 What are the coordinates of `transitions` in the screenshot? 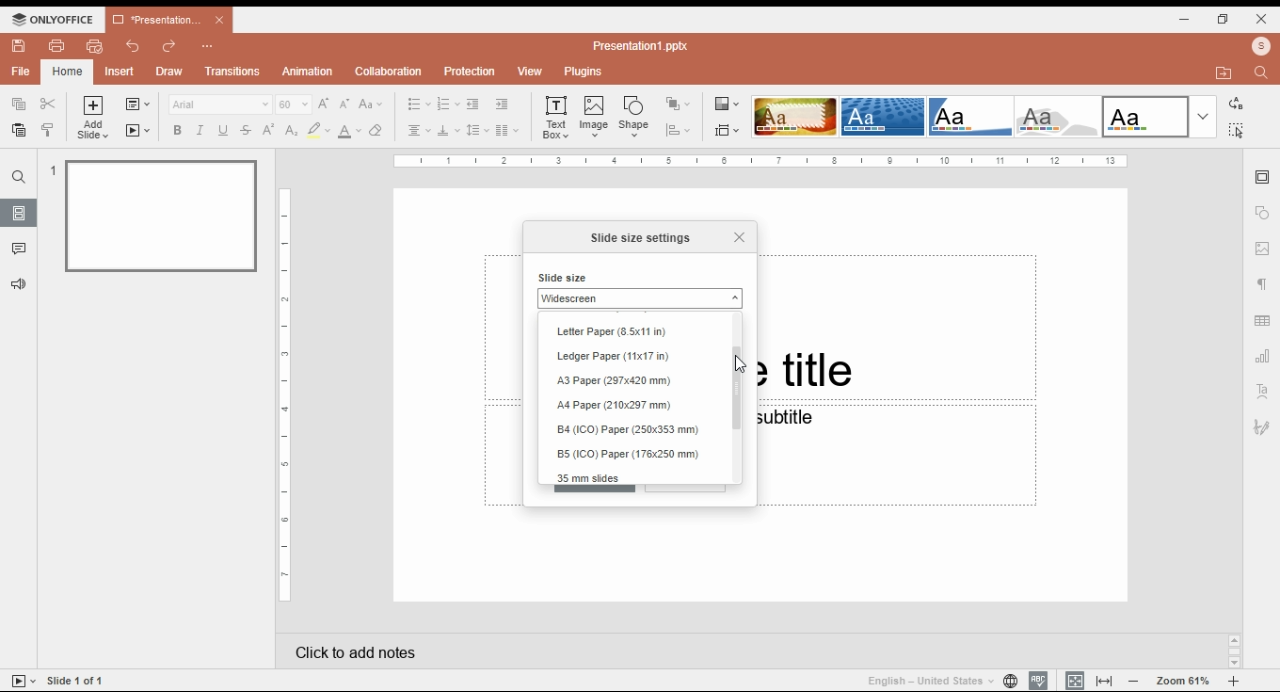 It's located at (232, 71).